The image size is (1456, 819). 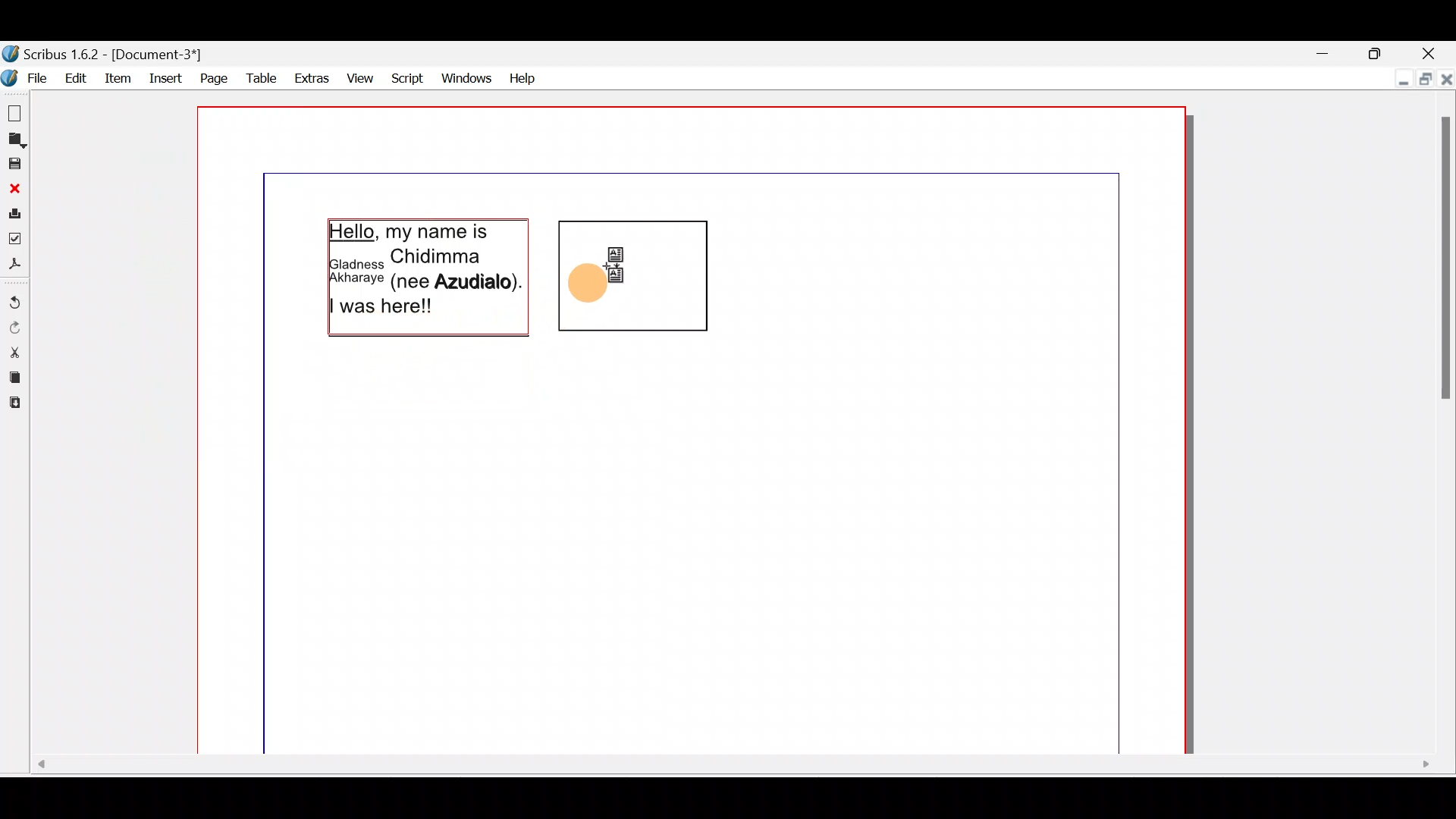 What do you see at coordinates (14, 188) in the screenshot?
I see `Close` at bounding box center [14, 188].